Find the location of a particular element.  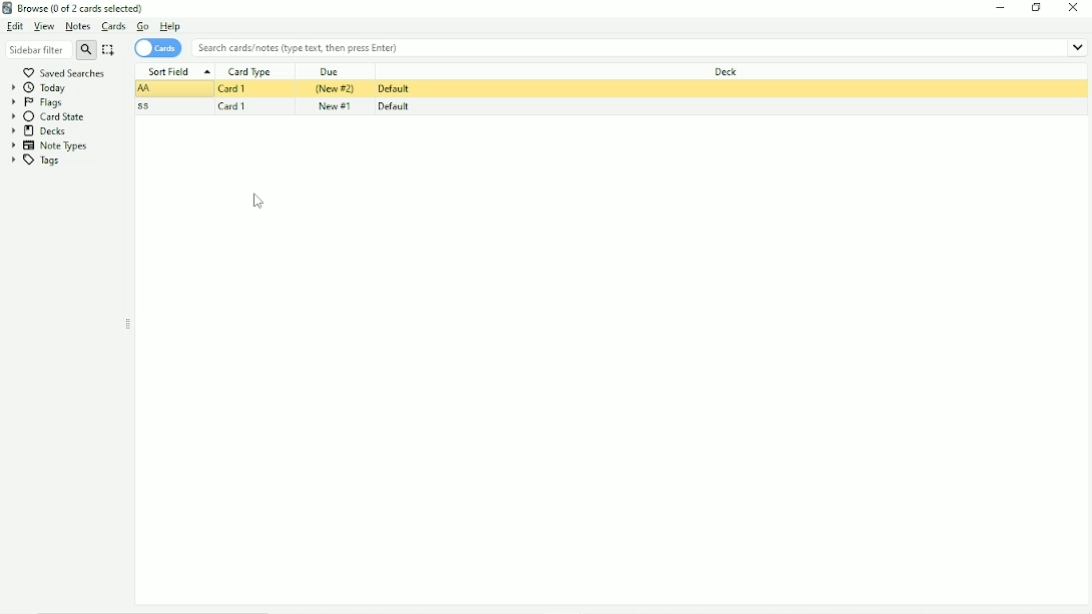

Card suspended is located at coordinates (613, 88).